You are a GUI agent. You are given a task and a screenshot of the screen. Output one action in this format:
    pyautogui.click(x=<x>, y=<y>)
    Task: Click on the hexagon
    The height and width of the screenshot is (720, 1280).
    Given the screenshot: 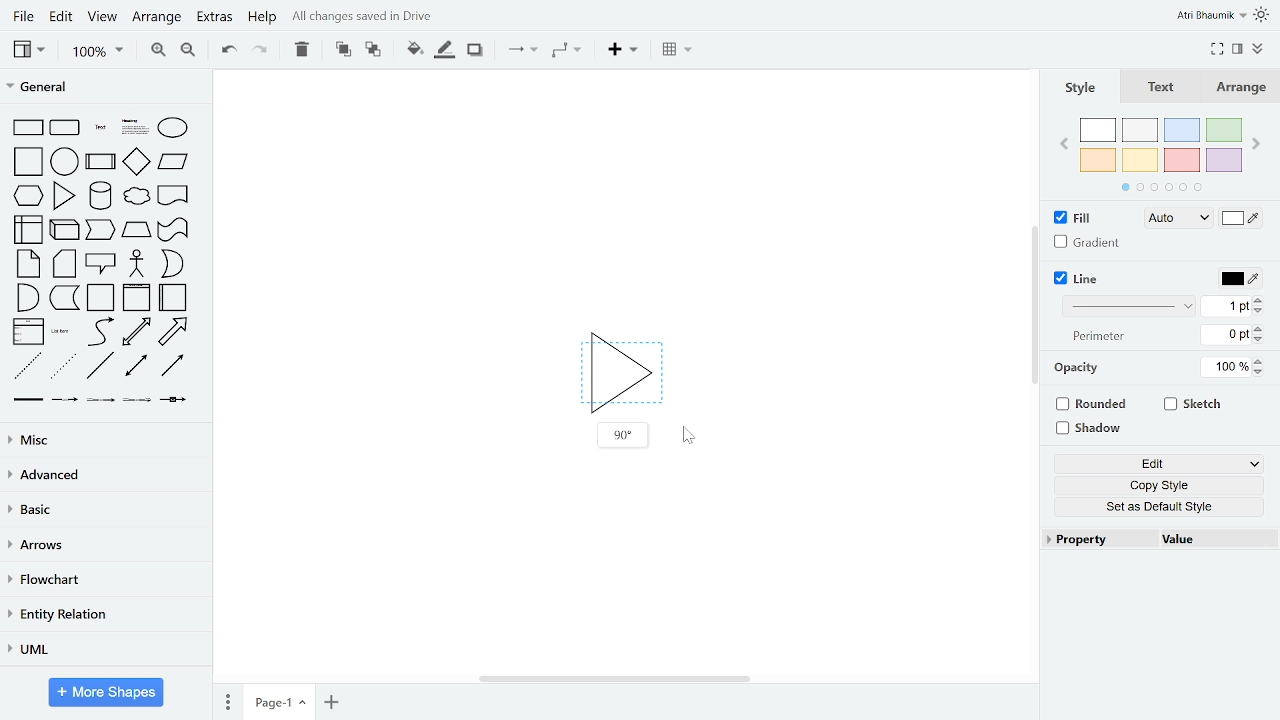 What is the action you would take?
    pyautogui.click(x=26, y=195)
    